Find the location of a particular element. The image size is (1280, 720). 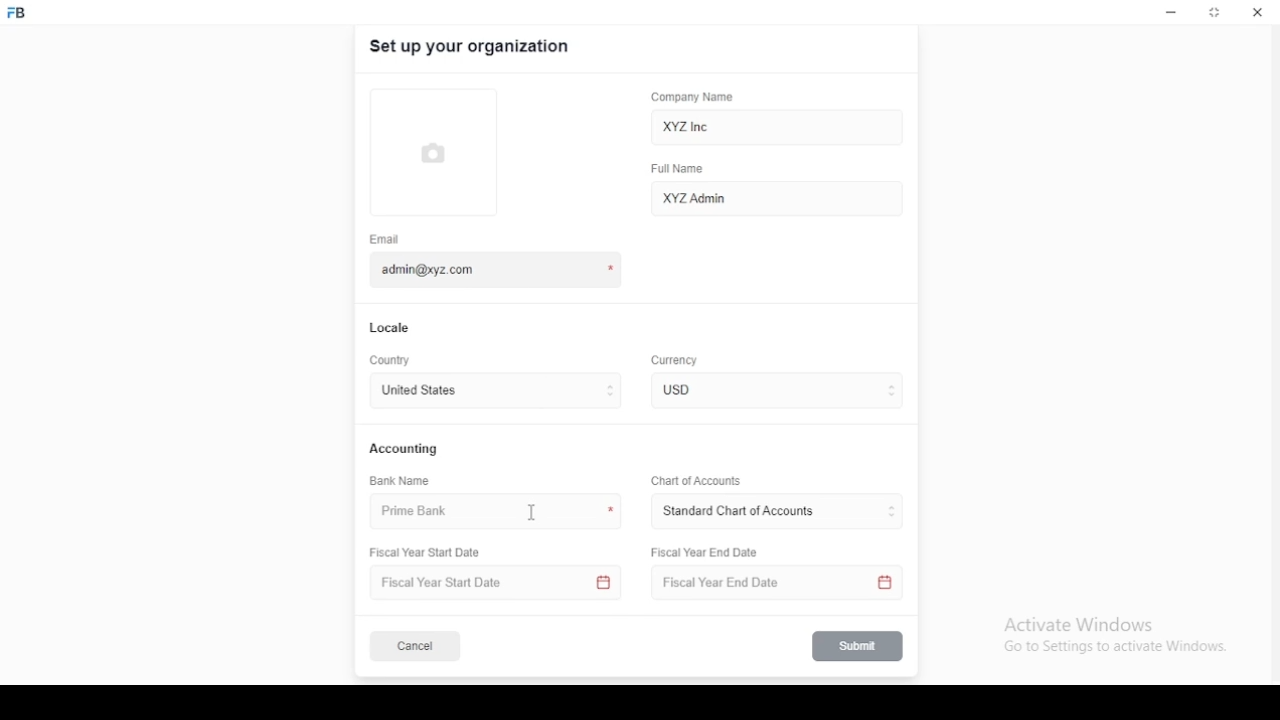

set up your organization is located at coordinates (471, 47).